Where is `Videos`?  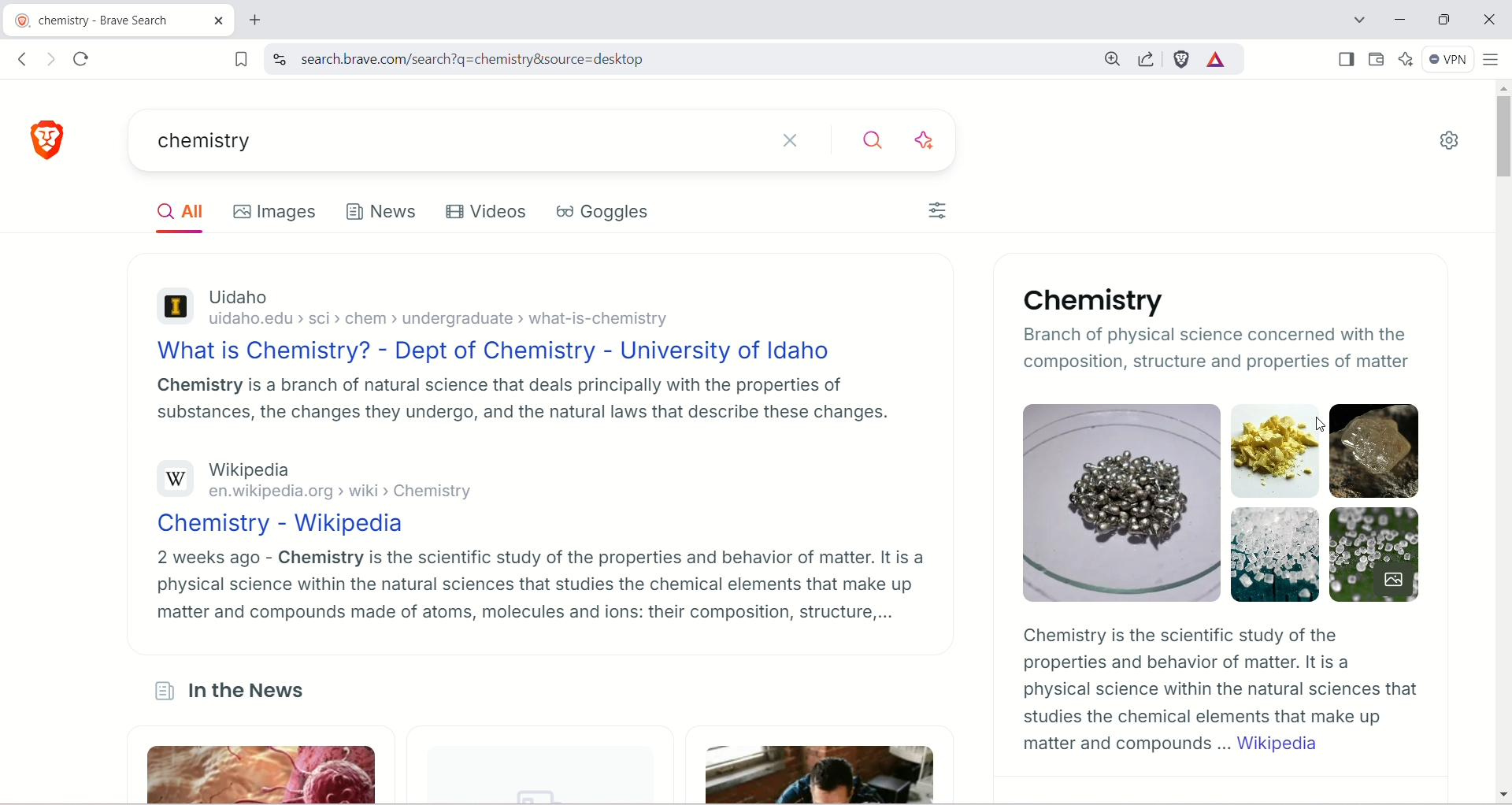 Videos is located at coordinates (484, 211).